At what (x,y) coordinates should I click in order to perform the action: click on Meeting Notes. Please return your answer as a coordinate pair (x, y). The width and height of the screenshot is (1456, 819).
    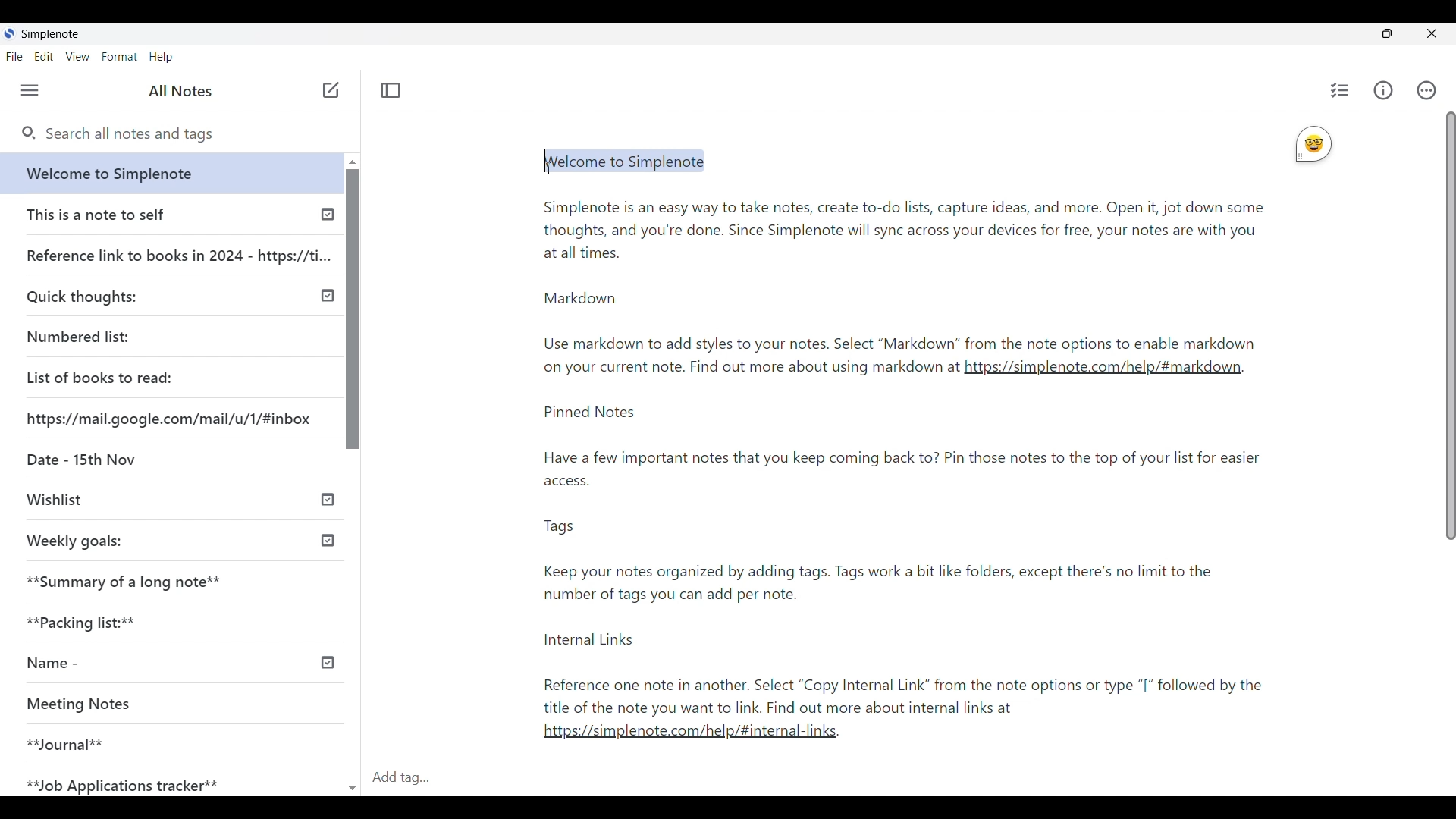
    Looking at the image, I should click on (86, 702).